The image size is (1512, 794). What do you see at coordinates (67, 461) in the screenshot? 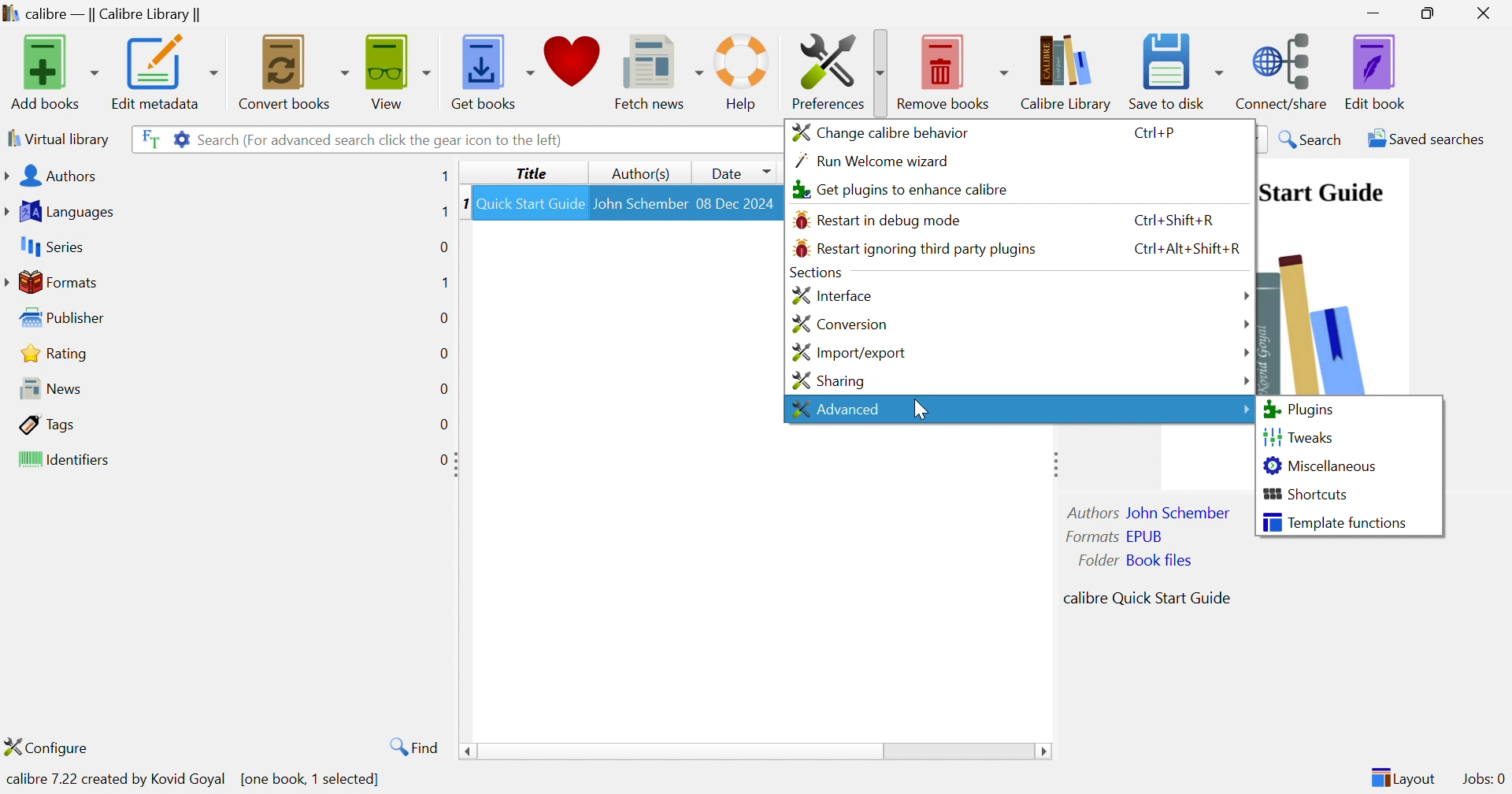
I see `Identifiers` at bounding box center [67, 461].